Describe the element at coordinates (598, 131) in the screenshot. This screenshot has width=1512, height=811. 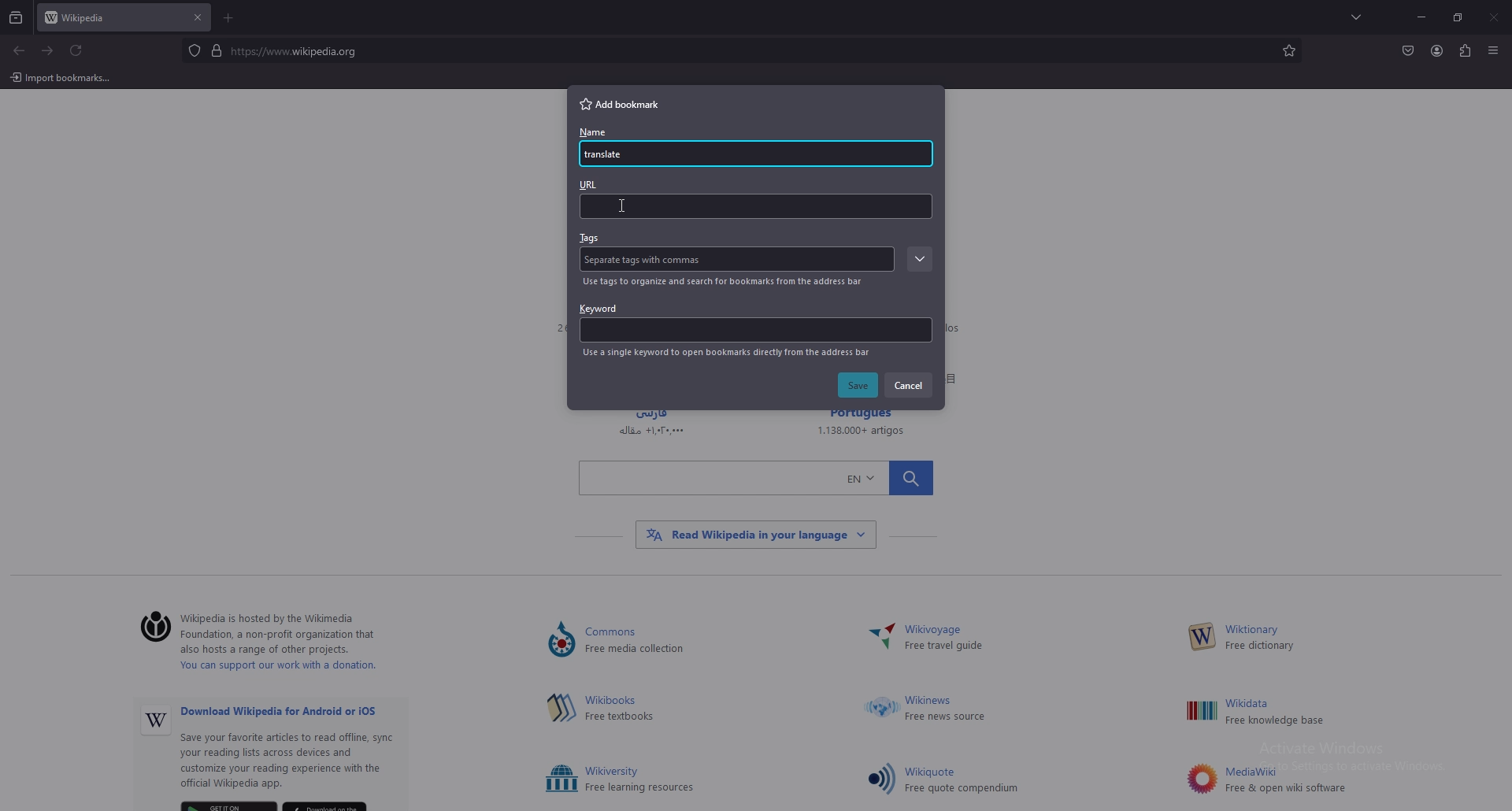
I see `name` at that location.